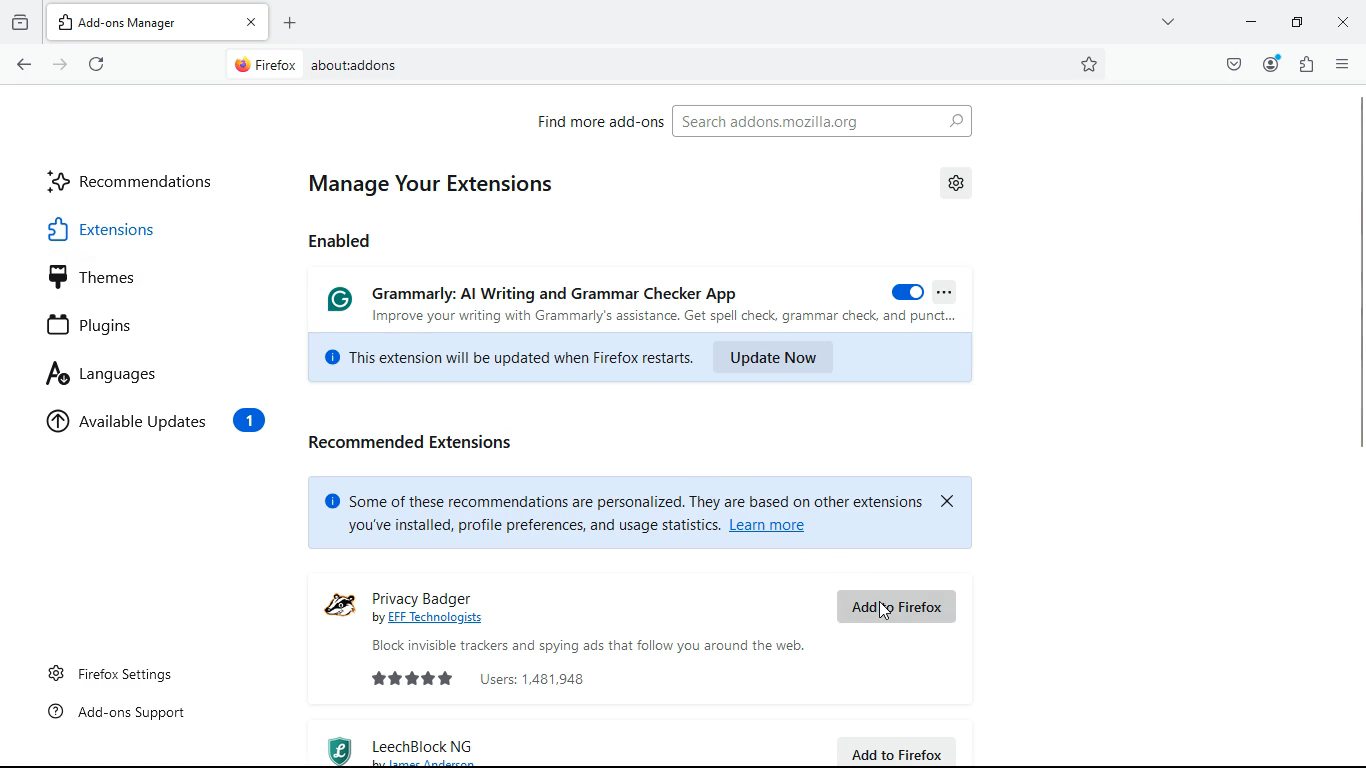 This screenshot has height=768, width=1366. Describe the element at coordinates (152, 278) in the screenshot. I see `themes` at that location.